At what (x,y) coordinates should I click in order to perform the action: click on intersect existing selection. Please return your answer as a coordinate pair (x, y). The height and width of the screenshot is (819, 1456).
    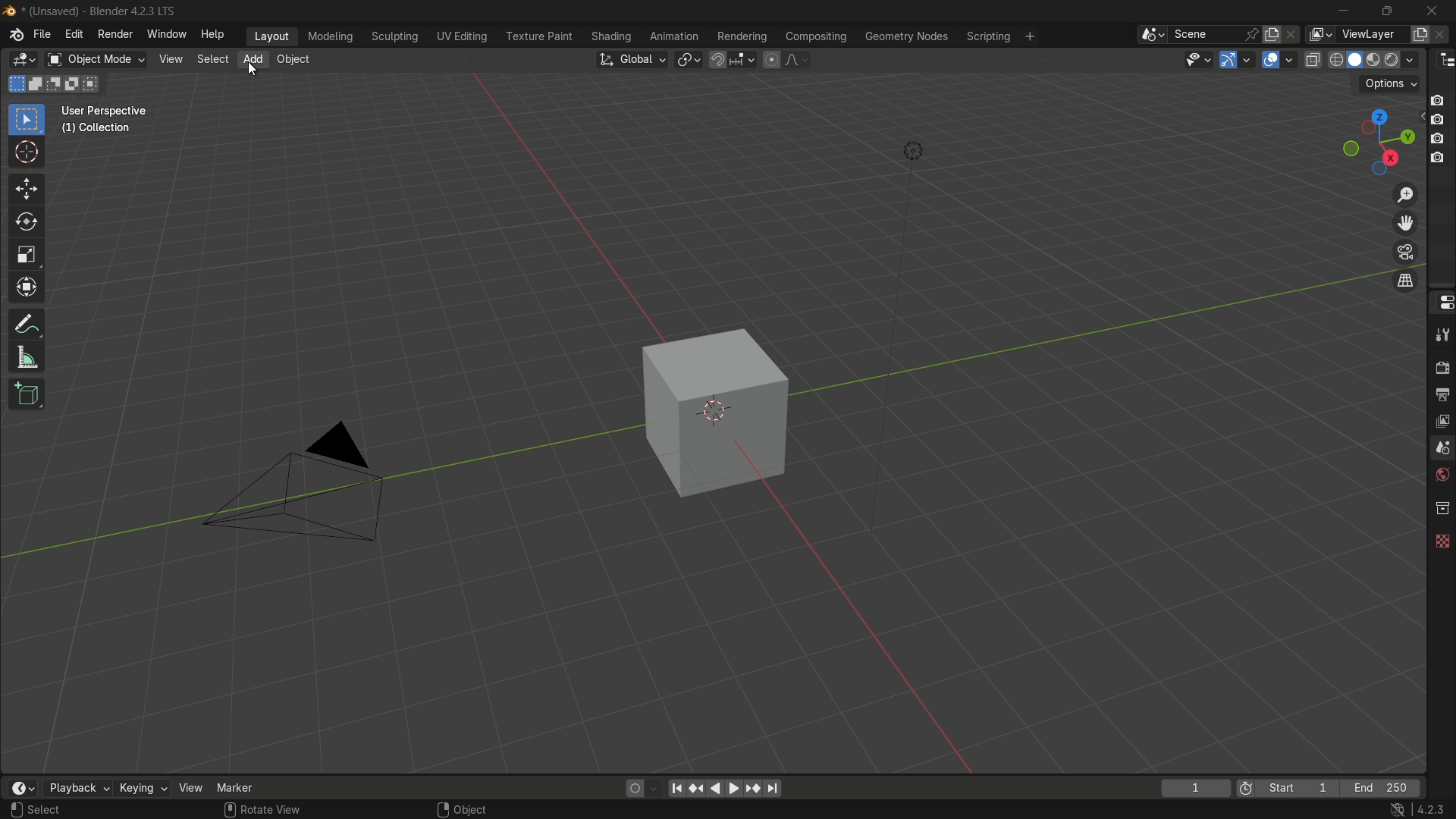
    Looking at the image, I should click on (96, 83).